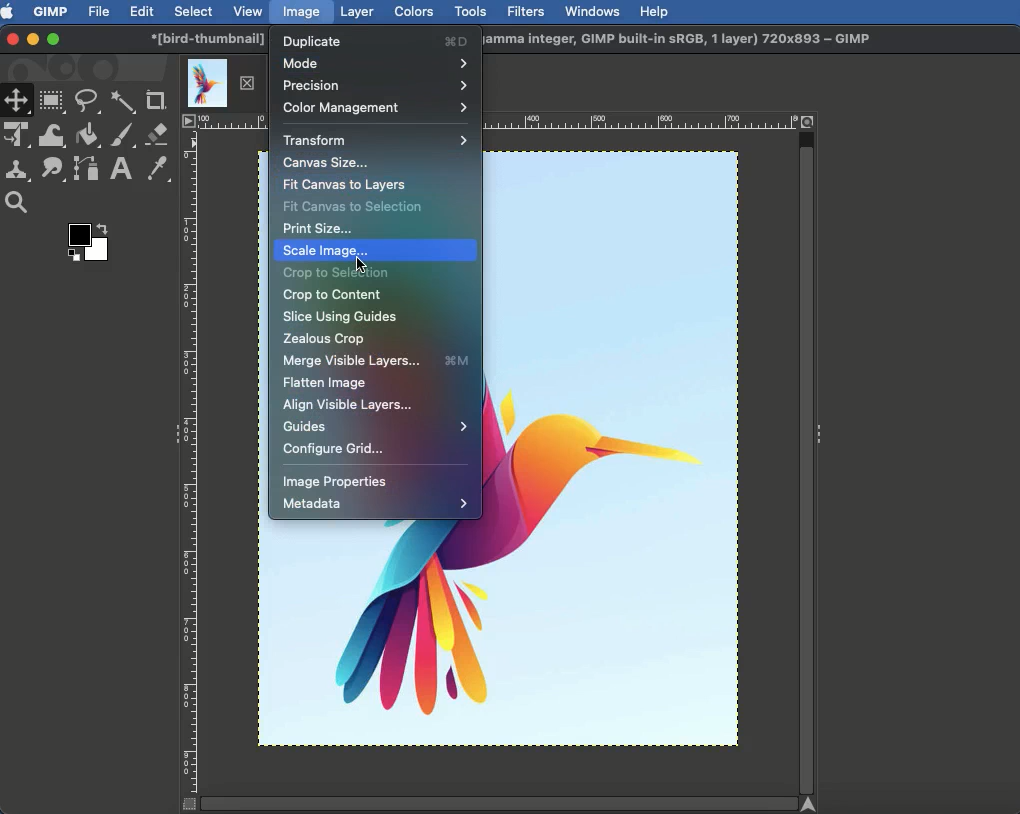 The width and height of the screenshot is (1020, 814). I want to click on File, so click(98, 12).